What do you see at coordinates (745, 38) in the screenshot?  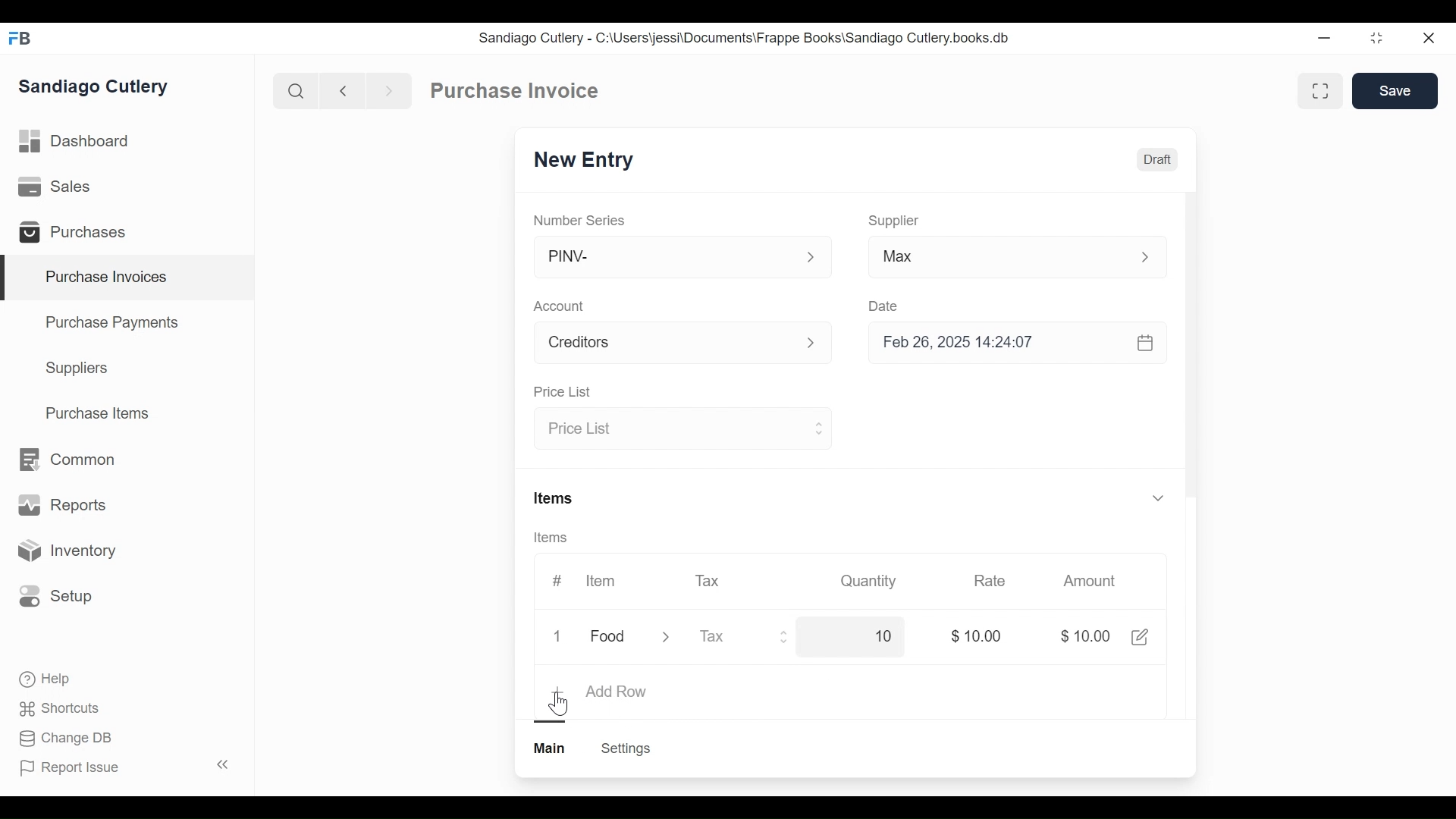 I see `Sandiago Cutlery - C:\Users\jessi\Documents\Frappe Books\Sandiago Cutlery.books.db` at bounding box center [745, 38].